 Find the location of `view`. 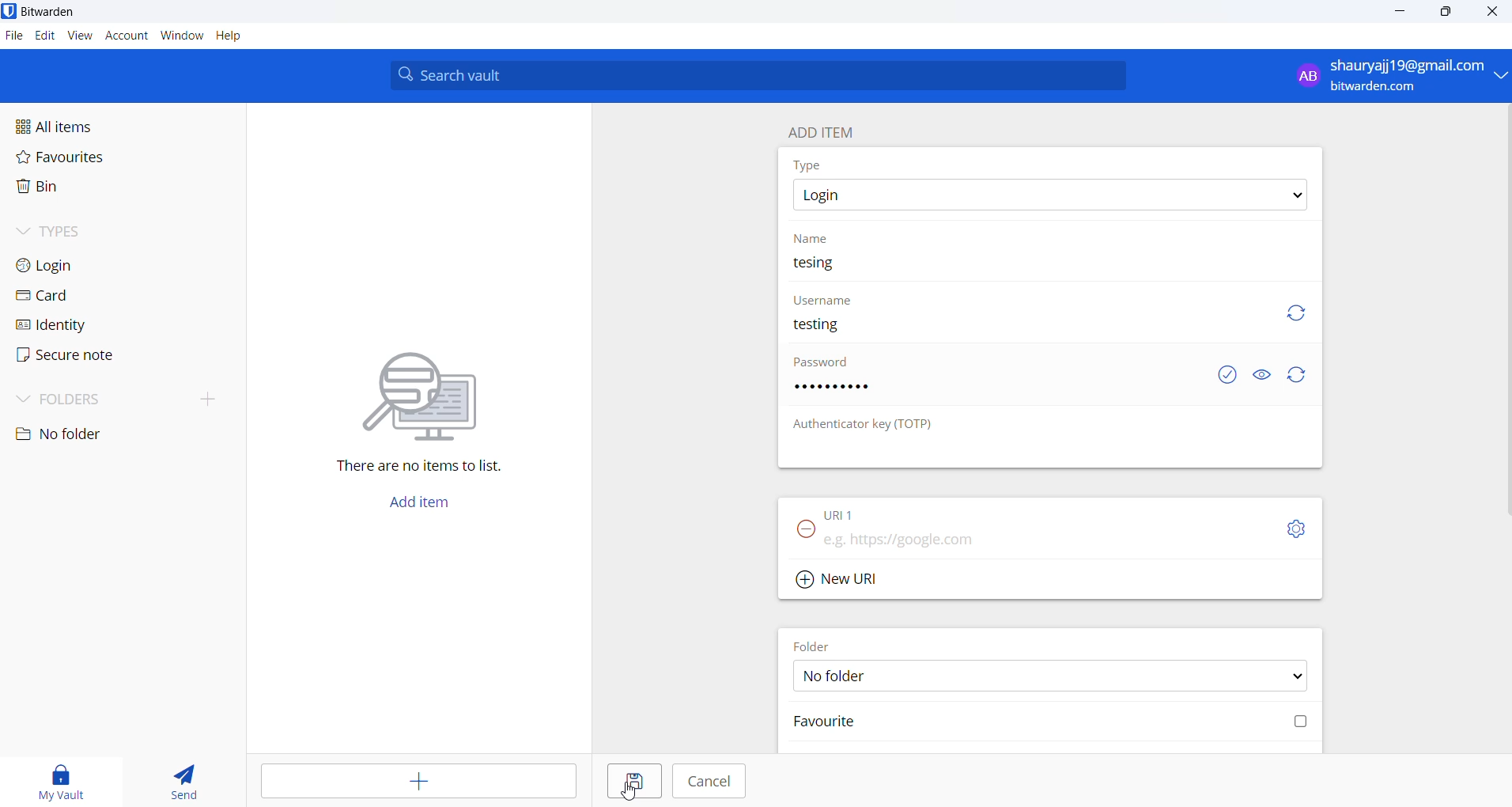

view is located at coordinates (80, 39).